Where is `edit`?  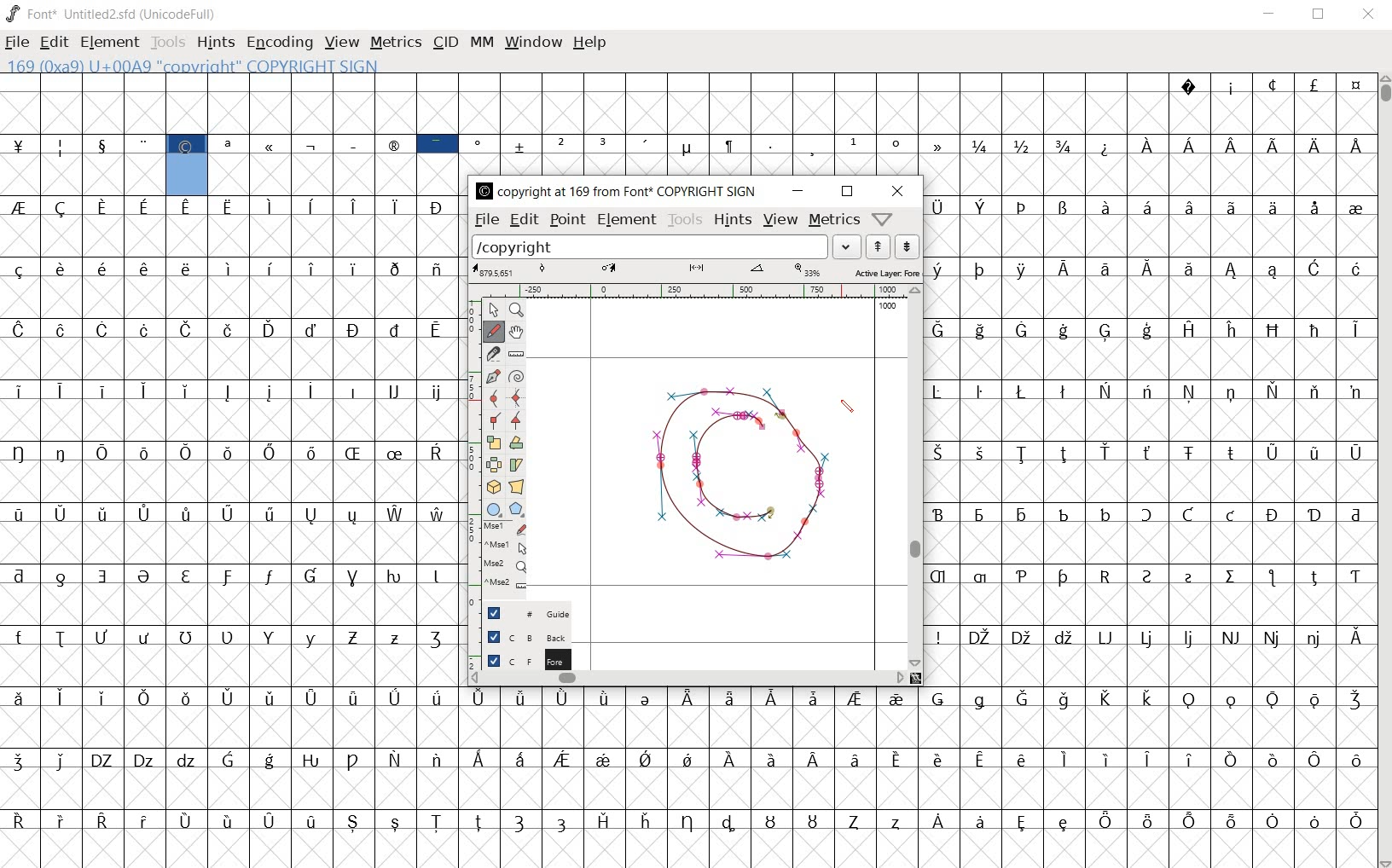 edit is located at coordinates (52, 40).